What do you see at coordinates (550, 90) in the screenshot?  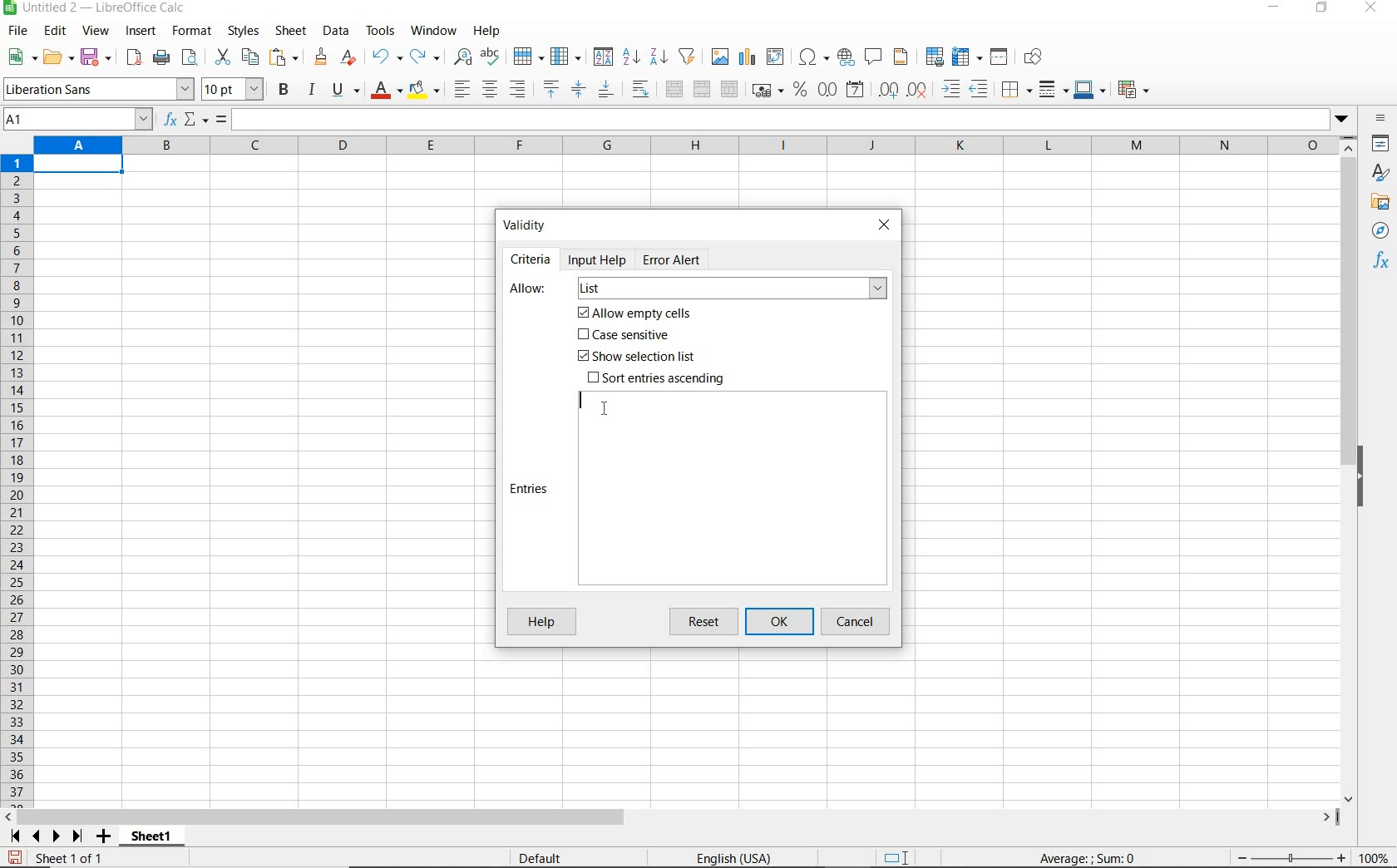 I see `align top` at bounding box center [550, 90].